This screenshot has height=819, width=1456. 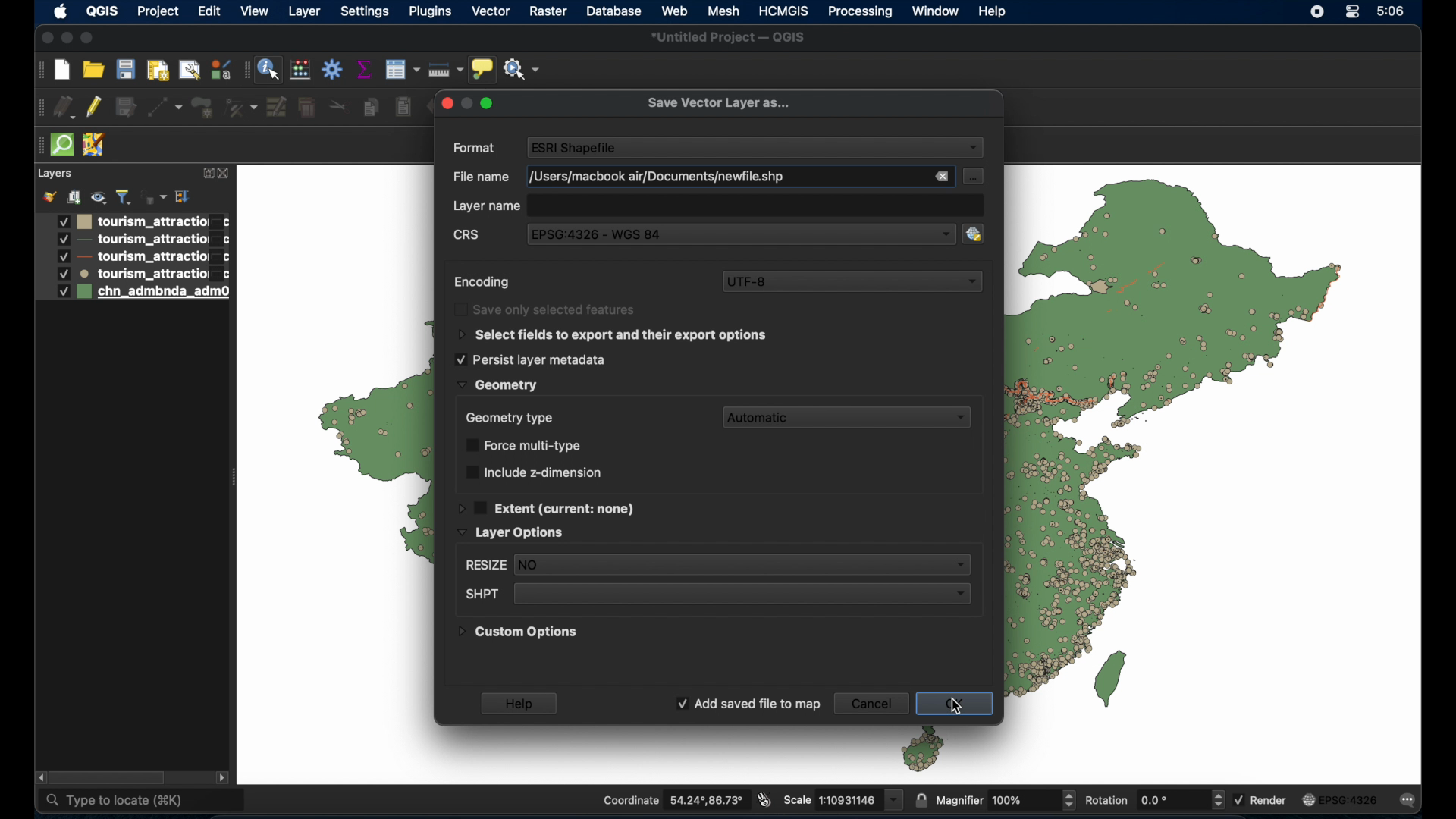 I want to click on expand, so click(x=206, y=174).